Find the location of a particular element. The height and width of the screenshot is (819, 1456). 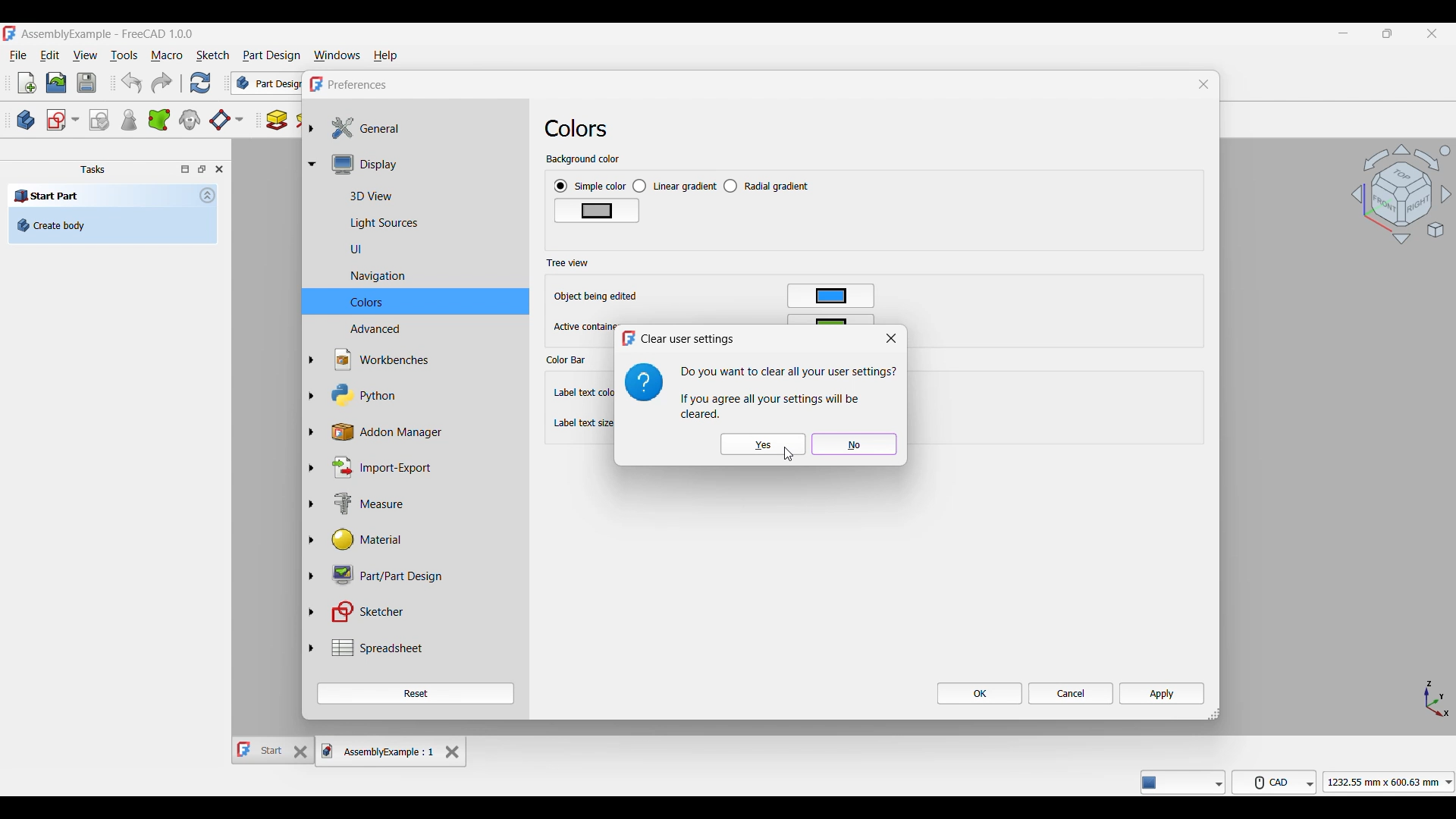

Close tab is located at coordinates (453, 752).